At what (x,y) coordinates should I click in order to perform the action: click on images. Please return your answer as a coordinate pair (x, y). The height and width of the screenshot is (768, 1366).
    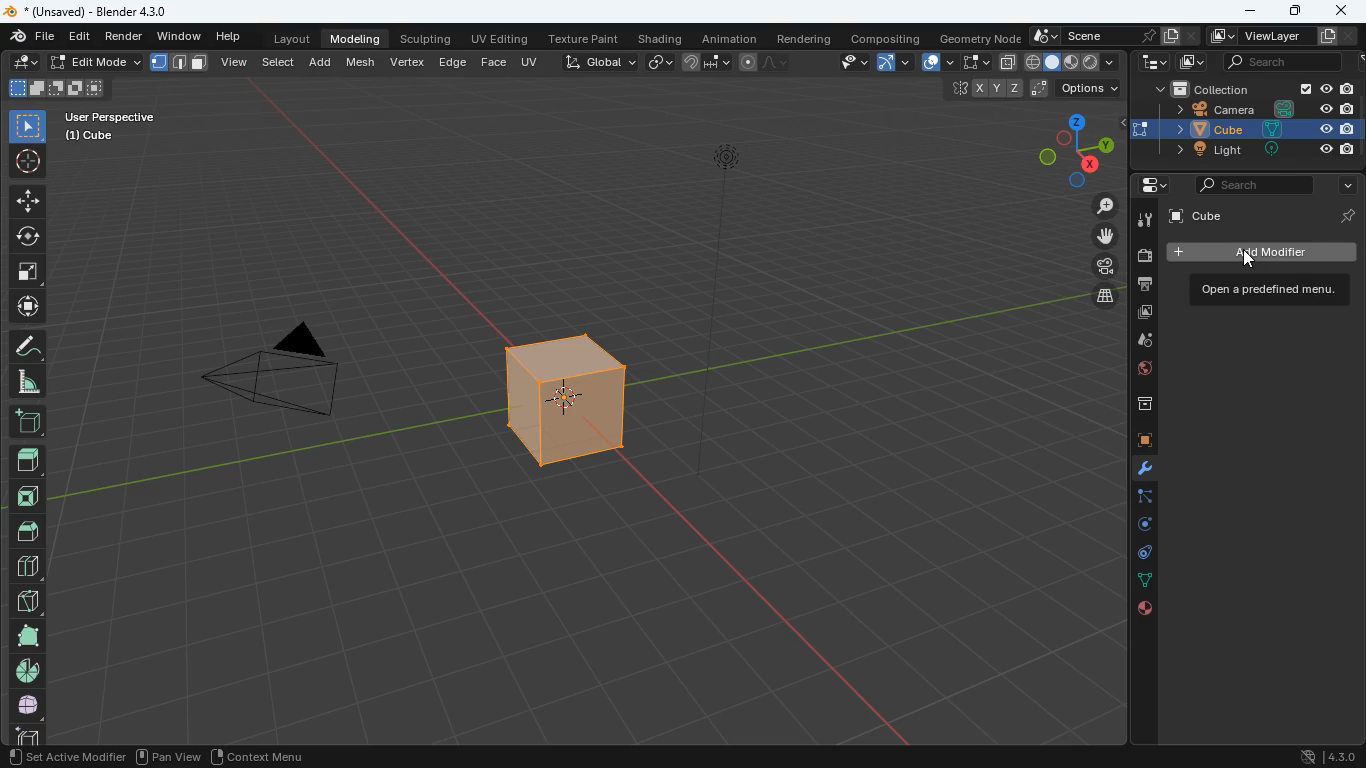
    Looking at the image, I should click on (1140, 314).